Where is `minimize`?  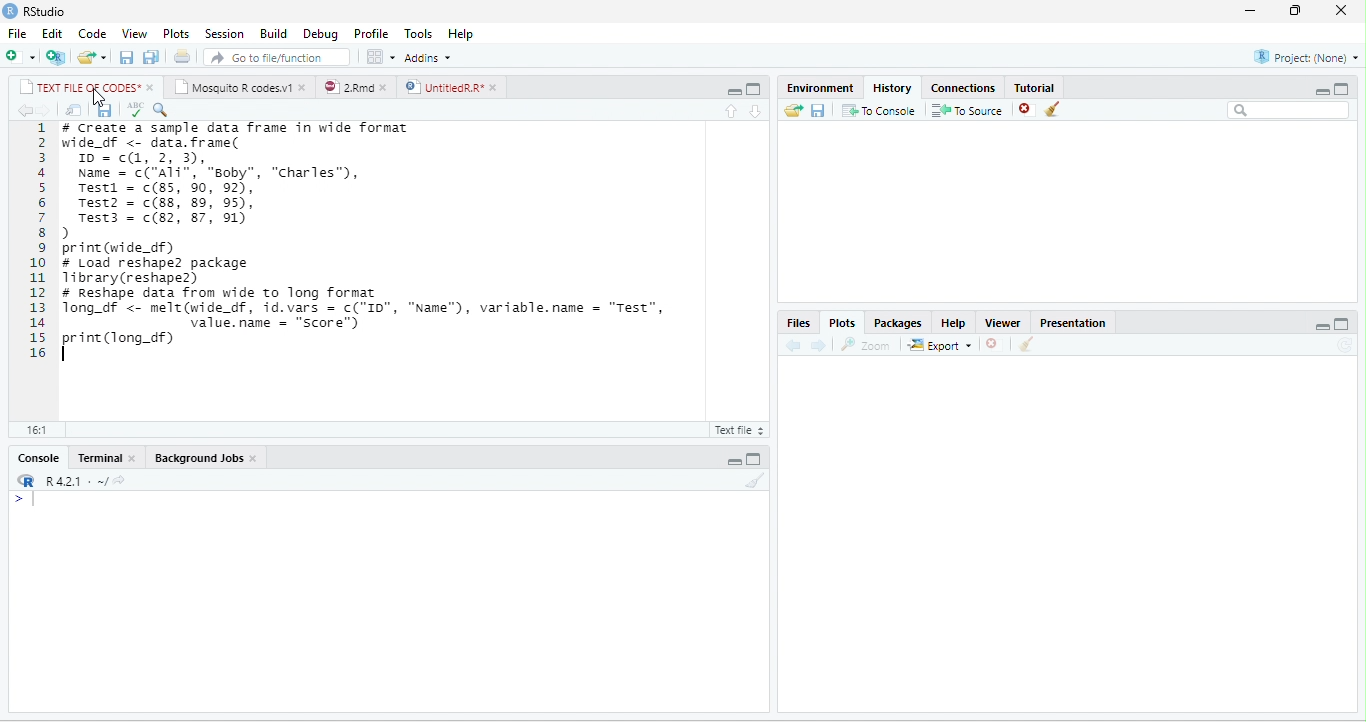 minimize is located at coordinates (1322, 326).